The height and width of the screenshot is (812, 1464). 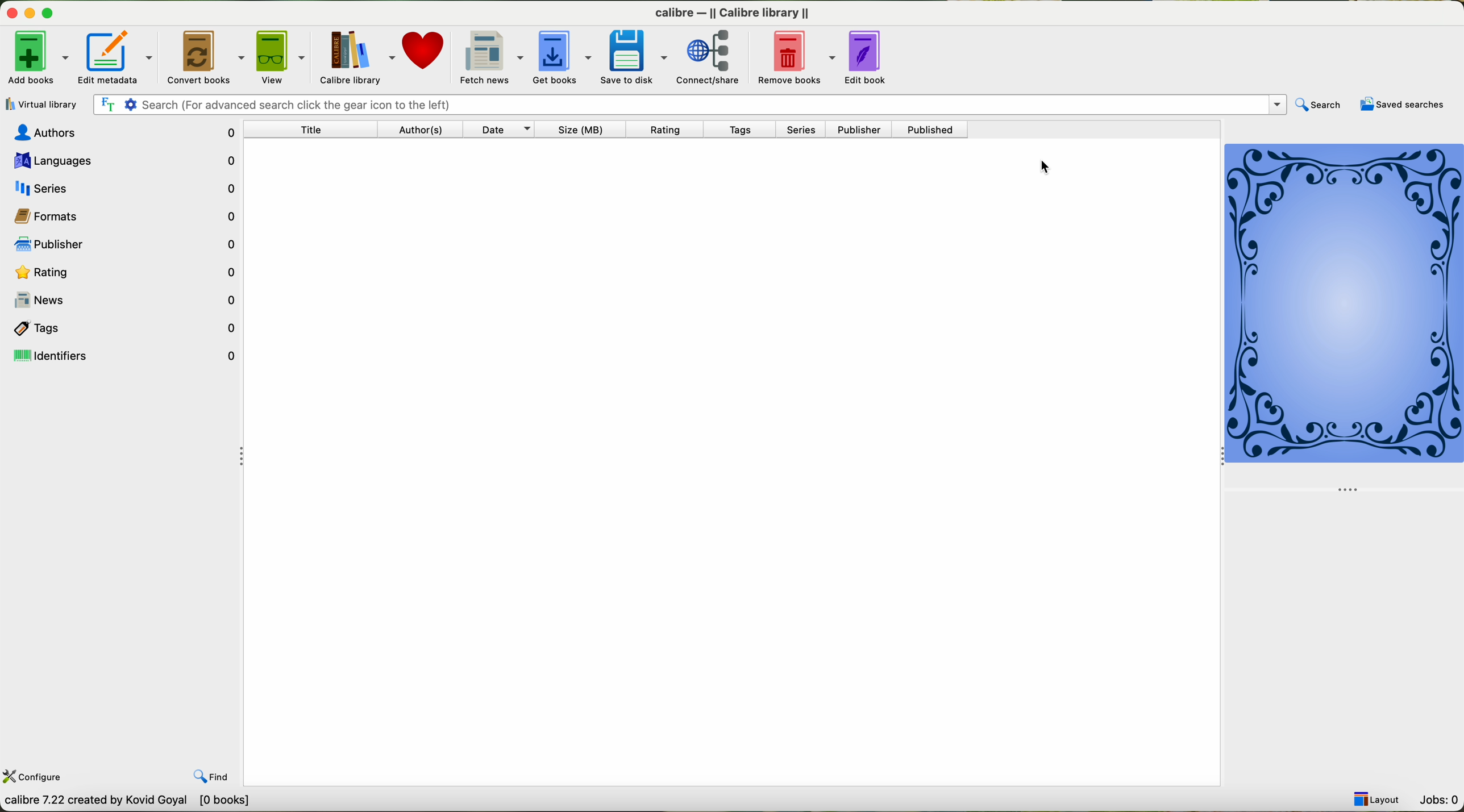 I want to click on fetch news, so click(x=495, y=58).